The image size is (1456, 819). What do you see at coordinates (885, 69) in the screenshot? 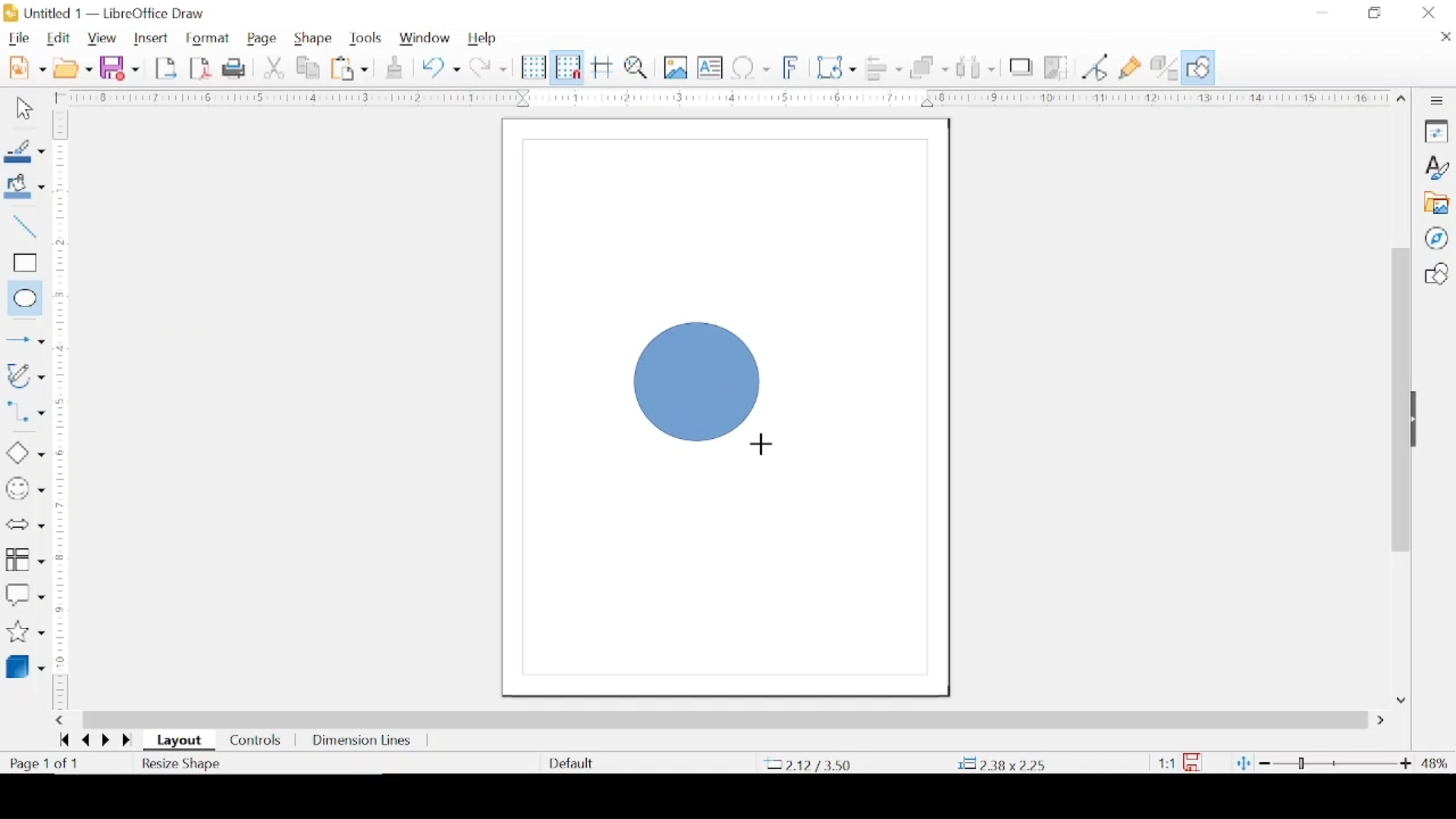
I see `align objects` at bounding box center [885, 69].